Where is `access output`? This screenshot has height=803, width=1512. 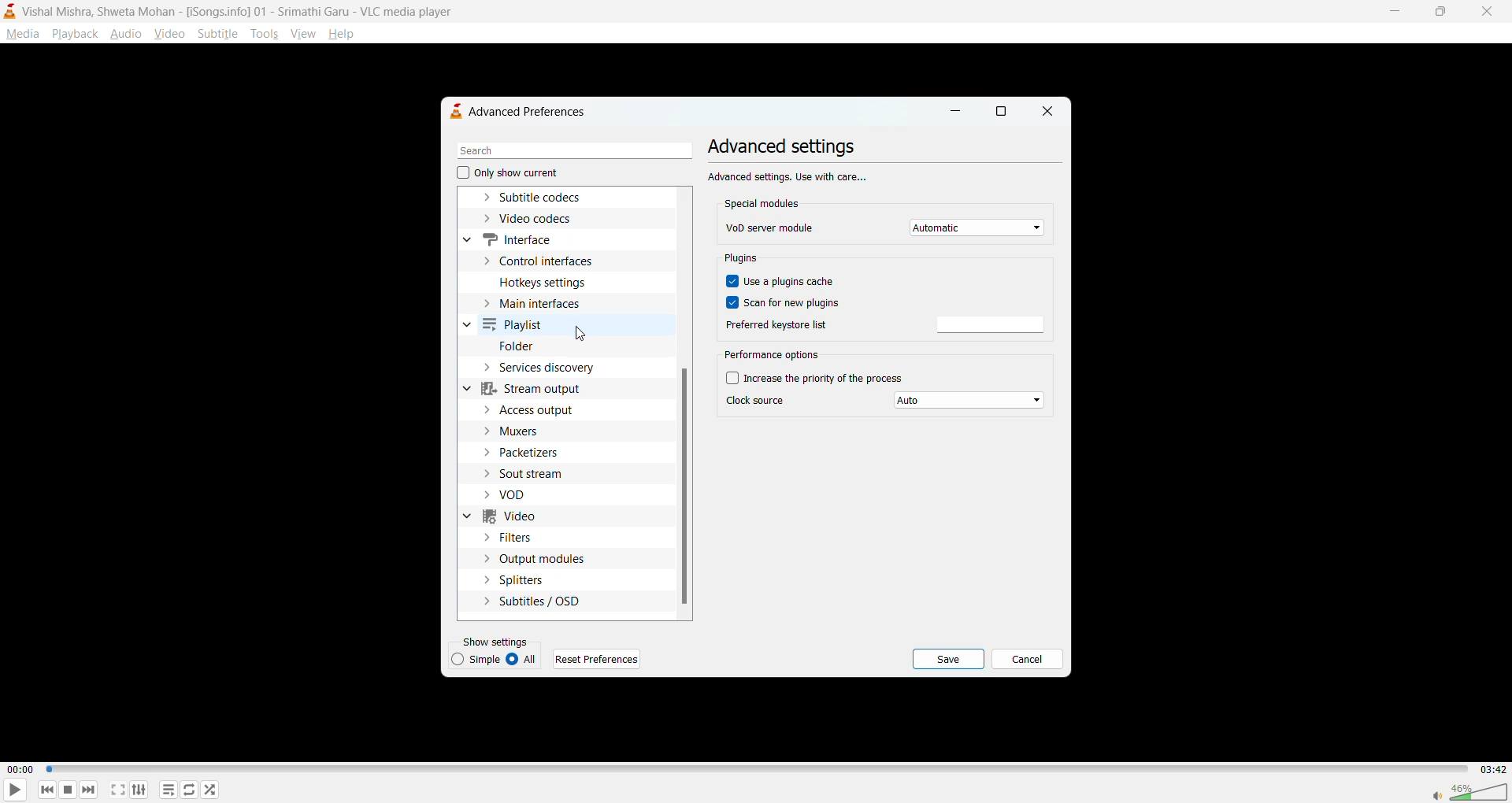 access output is located at coordinates (535, 409).